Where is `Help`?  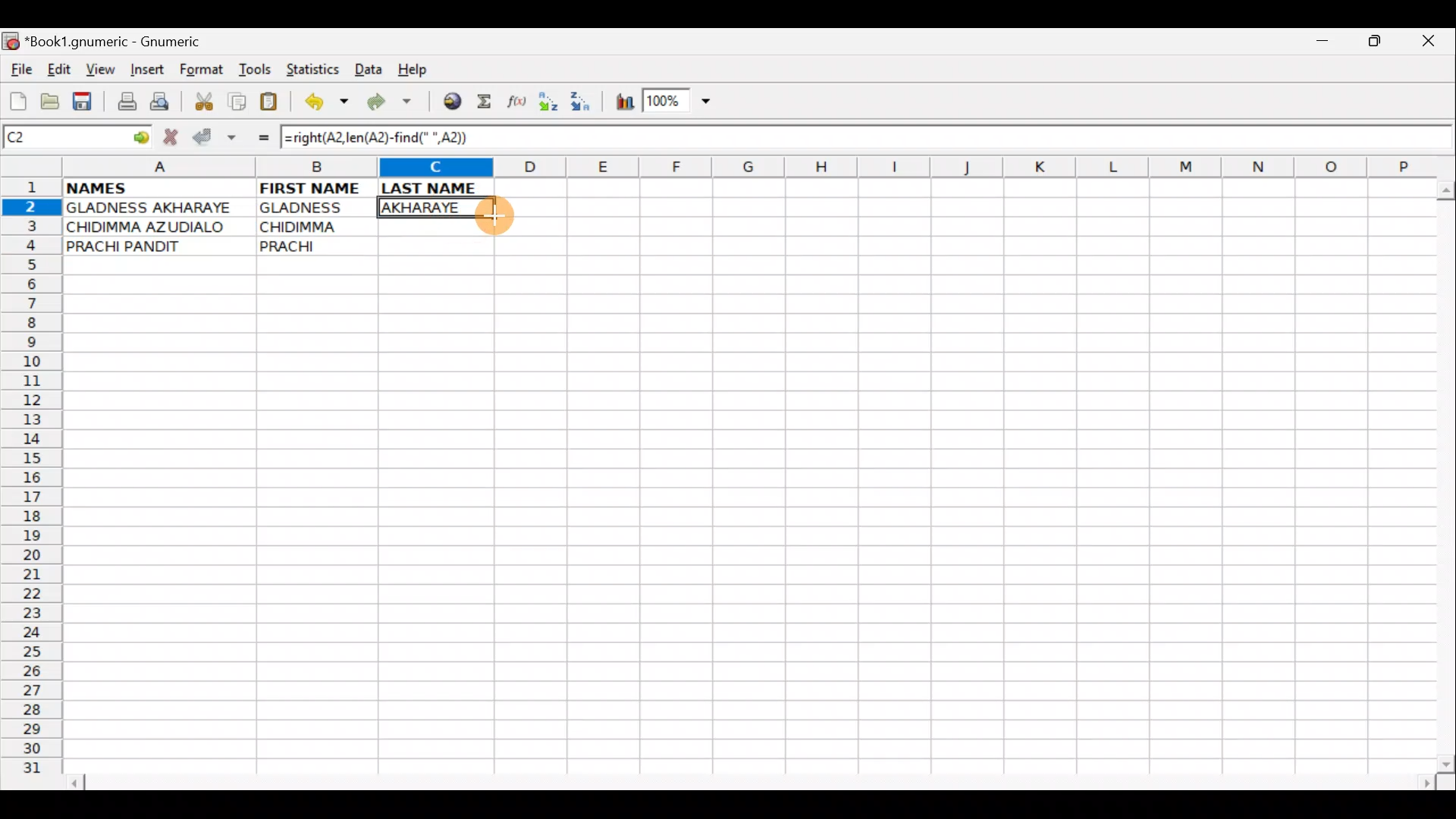
Help is located at coordinates (413, 70).